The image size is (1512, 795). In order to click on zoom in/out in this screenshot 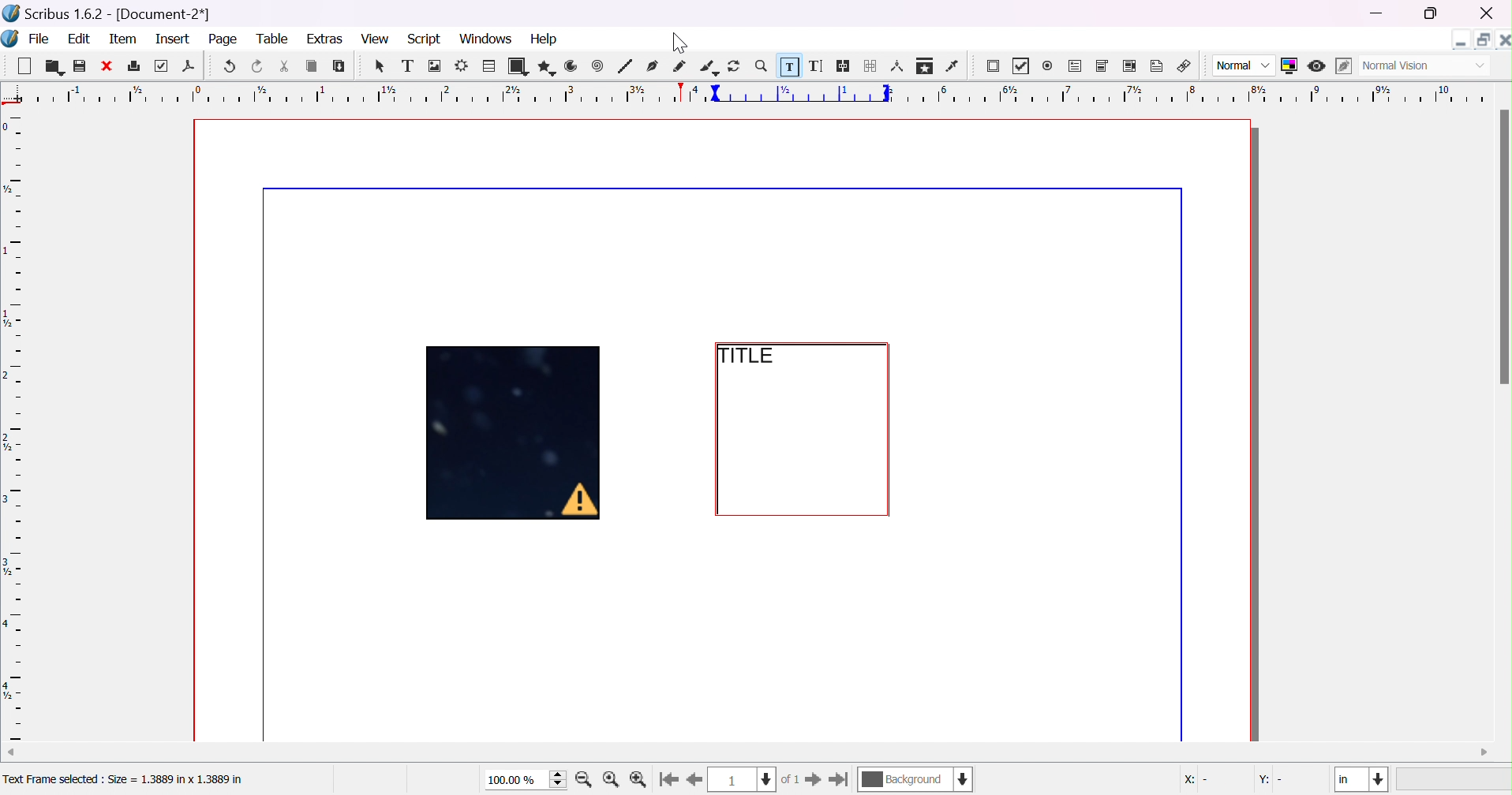, I will do `click(762, 65)`.